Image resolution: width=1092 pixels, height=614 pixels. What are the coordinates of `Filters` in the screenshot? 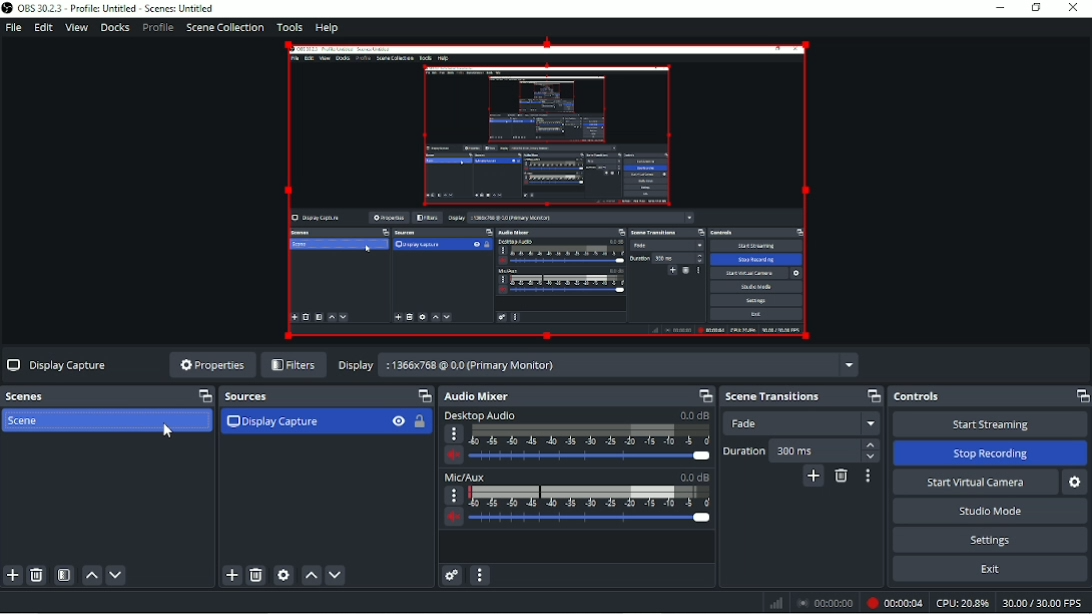 It's located at (293, 366).